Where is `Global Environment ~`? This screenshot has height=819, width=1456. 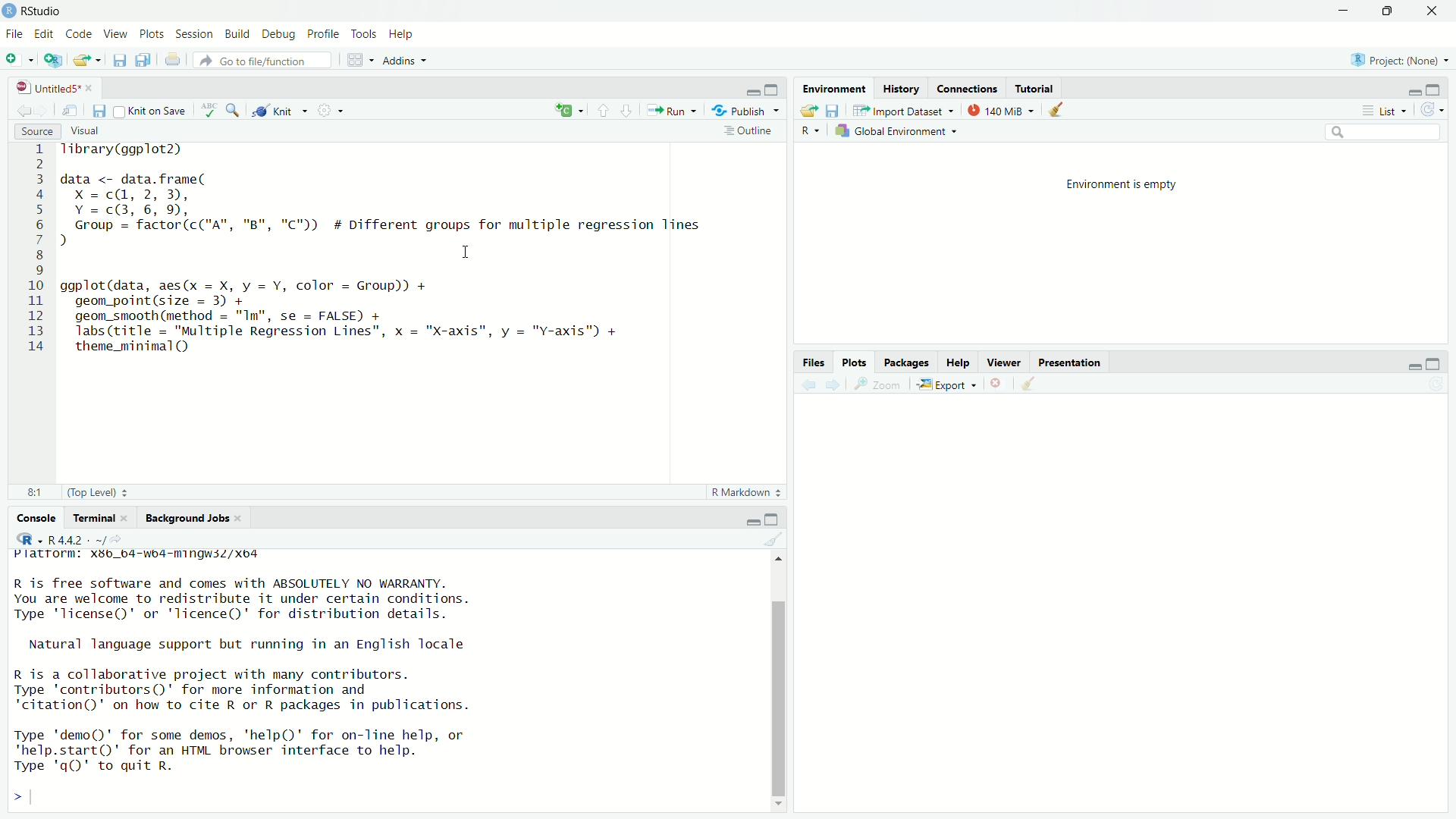
Global Environment ~ is located at coordinates (898, 130).